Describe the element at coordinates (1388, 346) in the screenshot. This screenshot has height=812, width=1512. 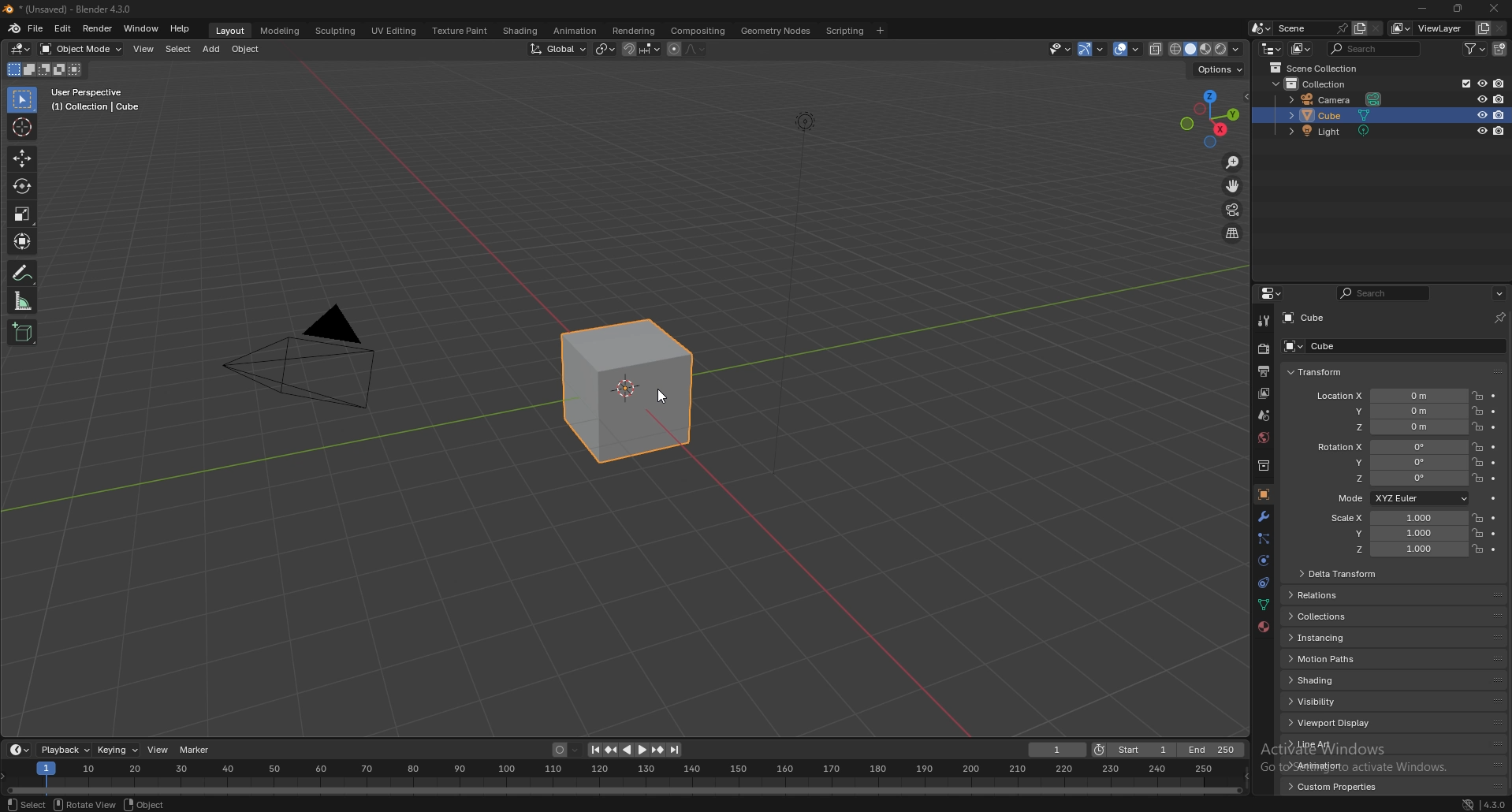
I see `cube` at that location.